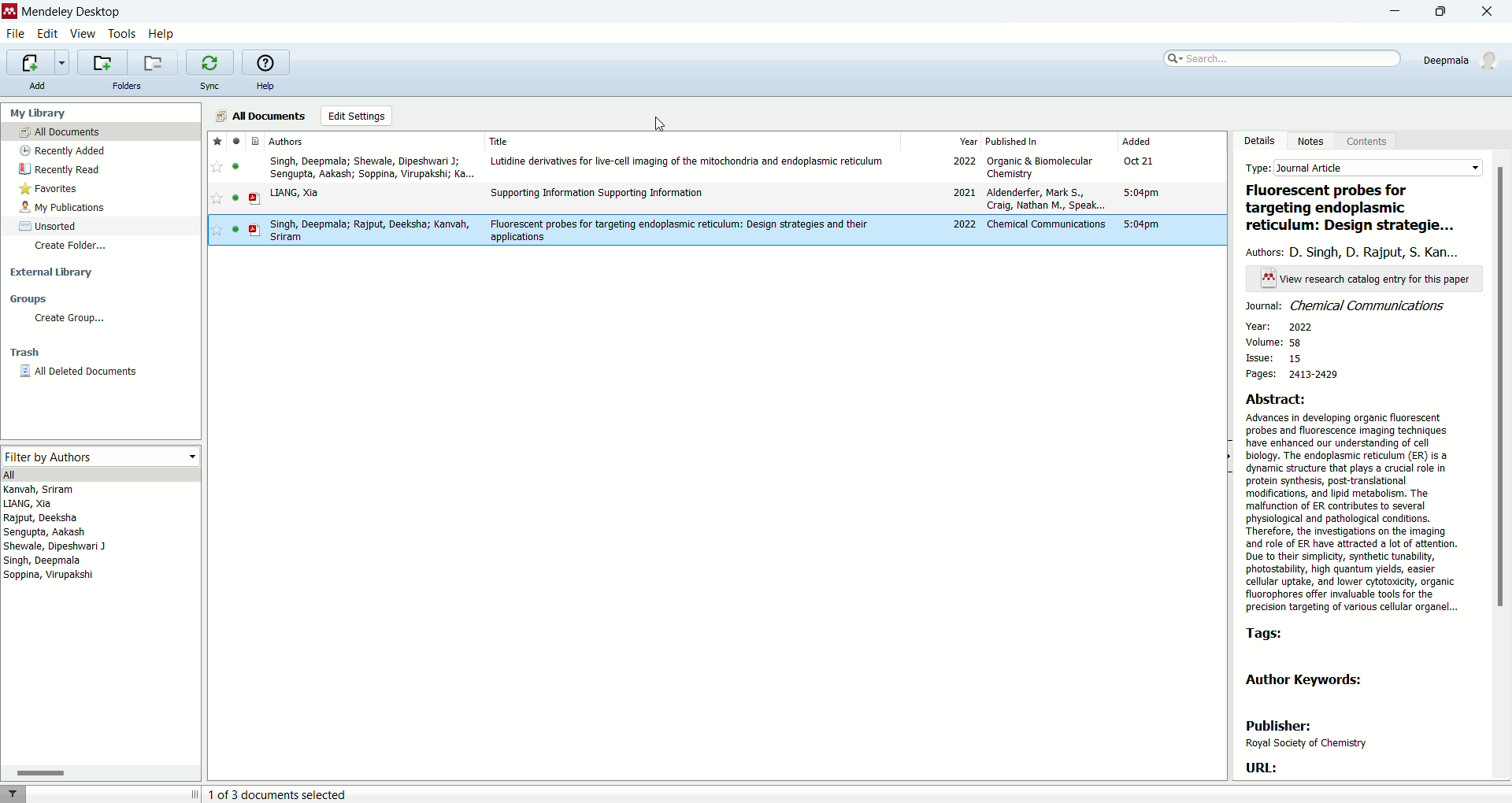 This screenshot has height=803, width=1512. I want to click on account, so click(1458, 59).